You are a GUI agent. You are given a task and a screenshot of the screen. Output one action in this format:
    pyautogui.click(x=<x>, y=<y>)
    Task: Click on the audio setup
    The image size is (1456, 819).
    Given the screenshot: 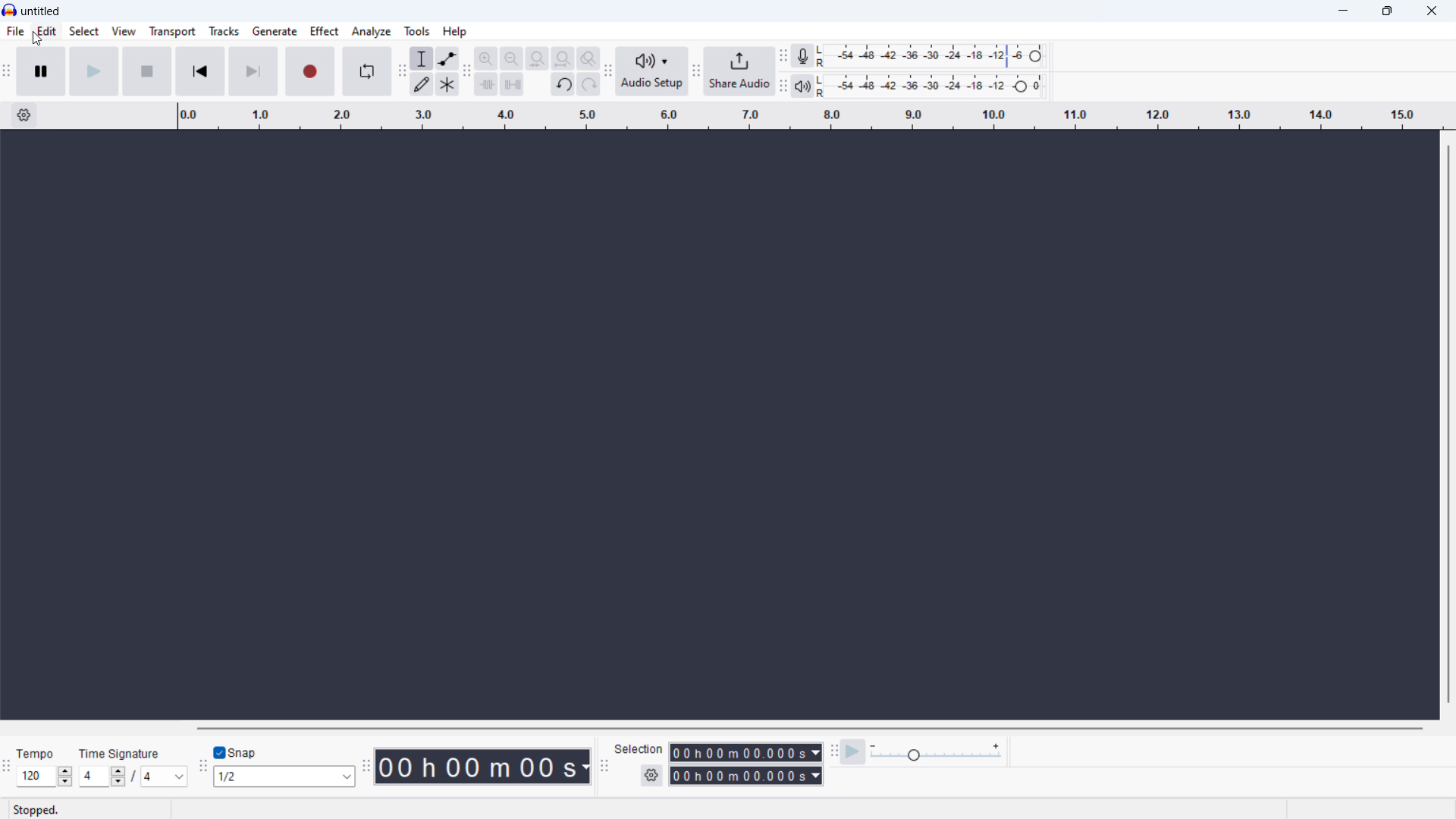 What is the action you would take?
    pyautogui.click(x=651, y=71)
    